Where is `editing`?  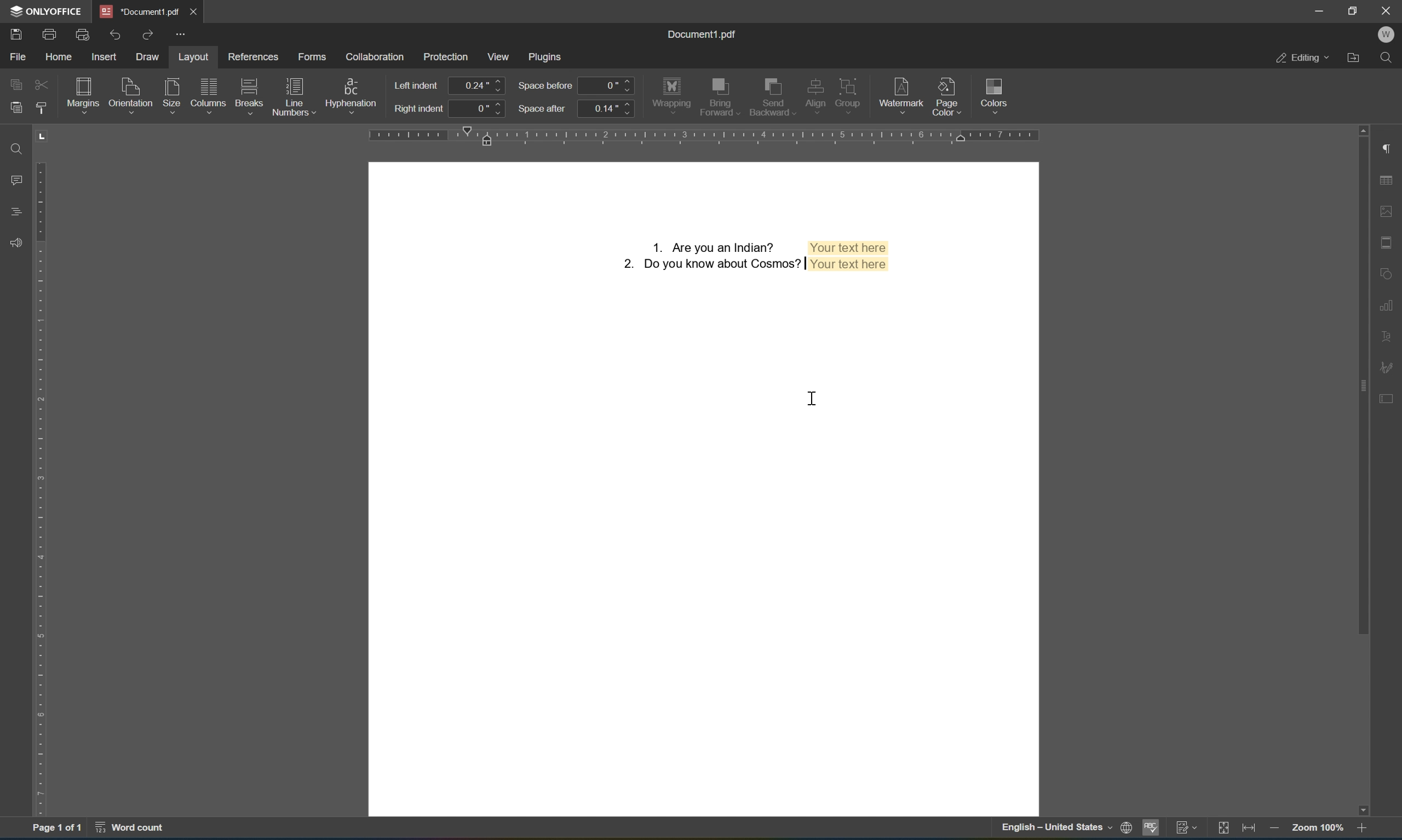 editing is located at coordinates (1302, 58).